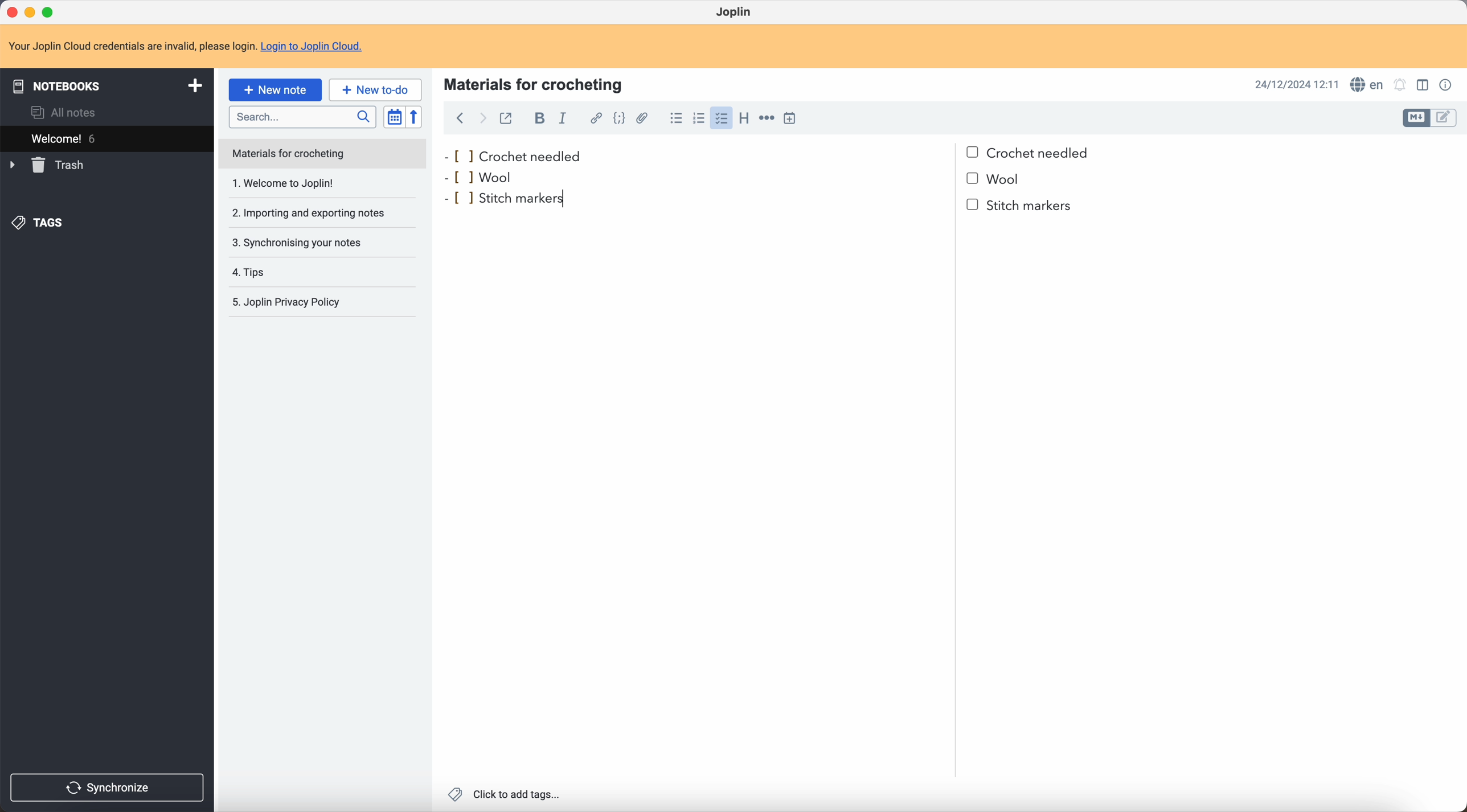 This screenshot has width=1467, height=812. Describe the element at coordinates (568, 197) in the screenshot. I see `cursor` at that location.